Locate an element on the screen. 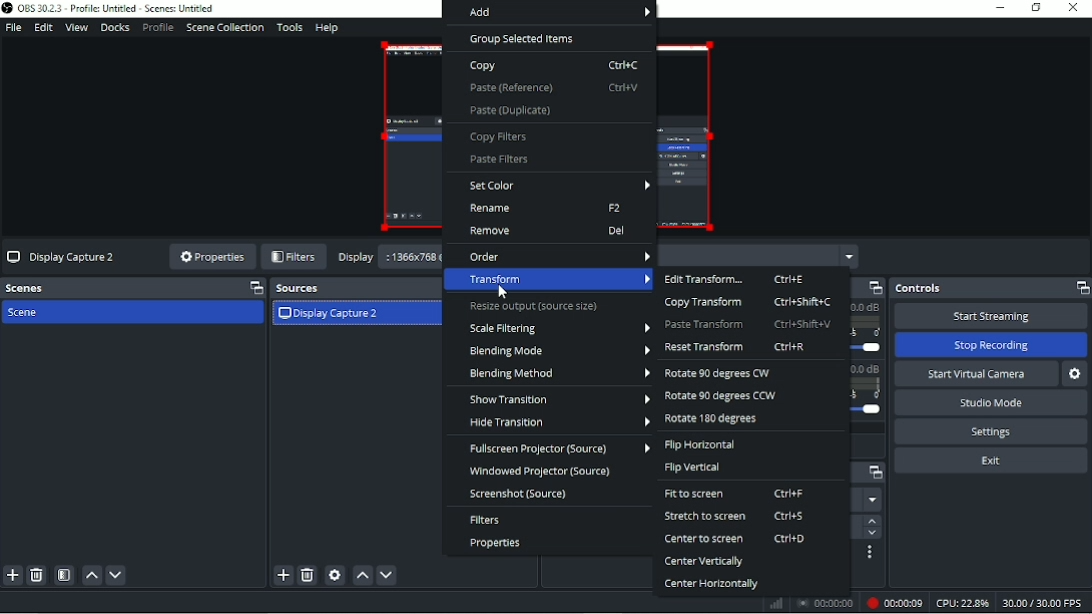  Copy filters is located at coordinates (501, 137).